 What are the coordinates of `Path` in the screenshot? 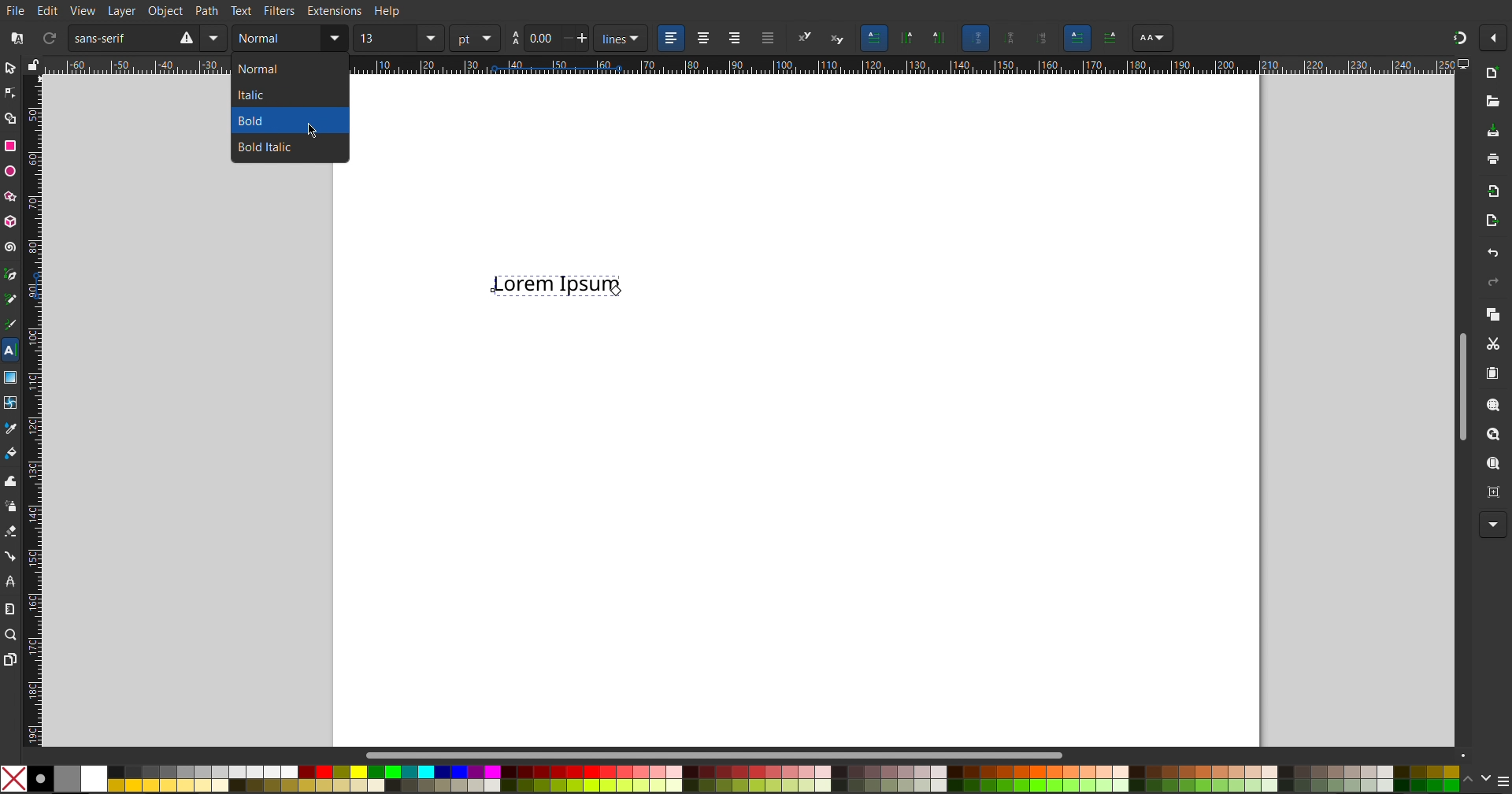 It's located at (207, 9).